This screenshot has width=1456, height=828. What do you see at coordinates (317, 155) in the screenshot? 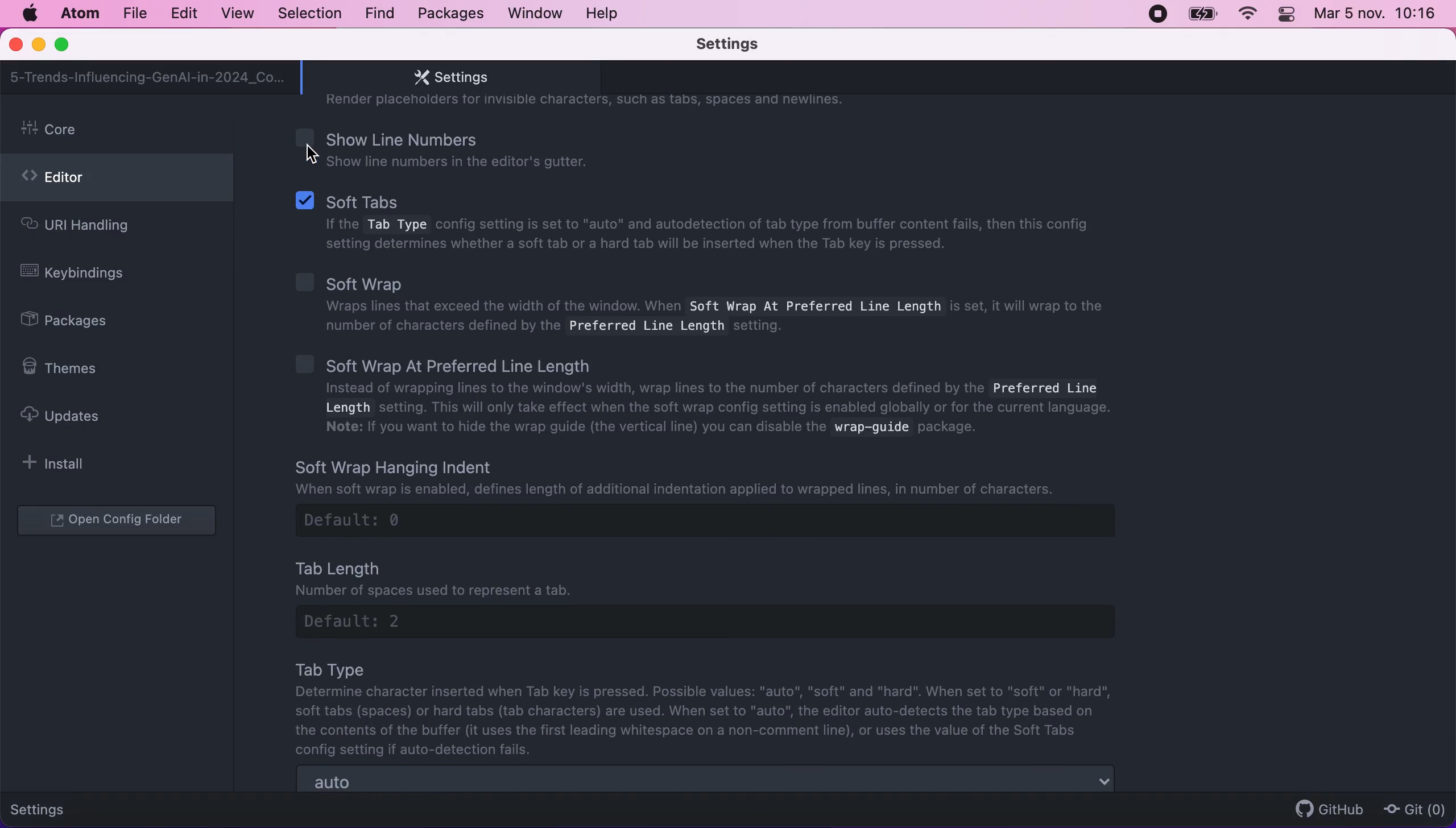
I see `cursor` at bounding box center [317, 155].